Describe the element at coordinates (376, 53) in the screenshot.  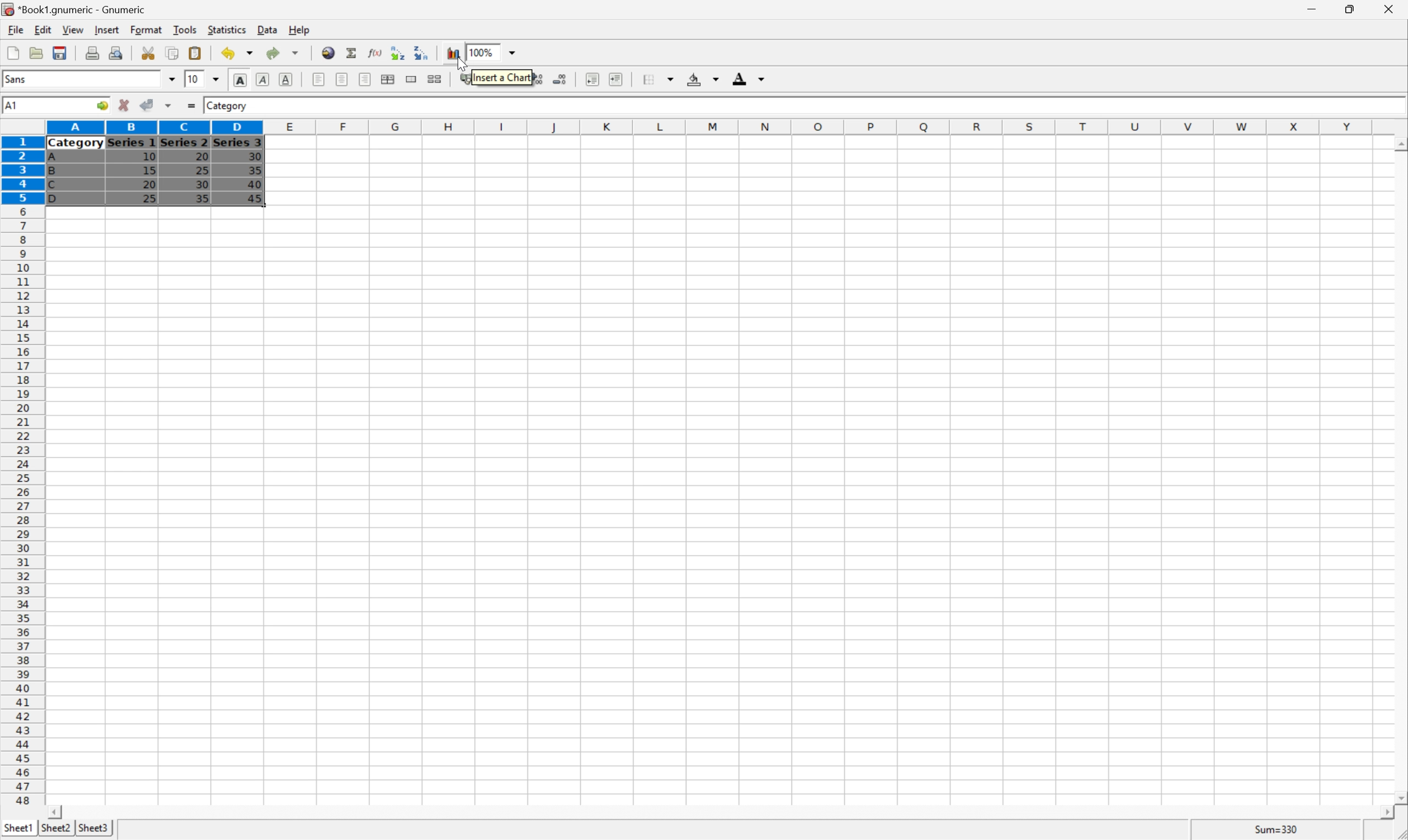
I see `Edit function in current cell` at that location.